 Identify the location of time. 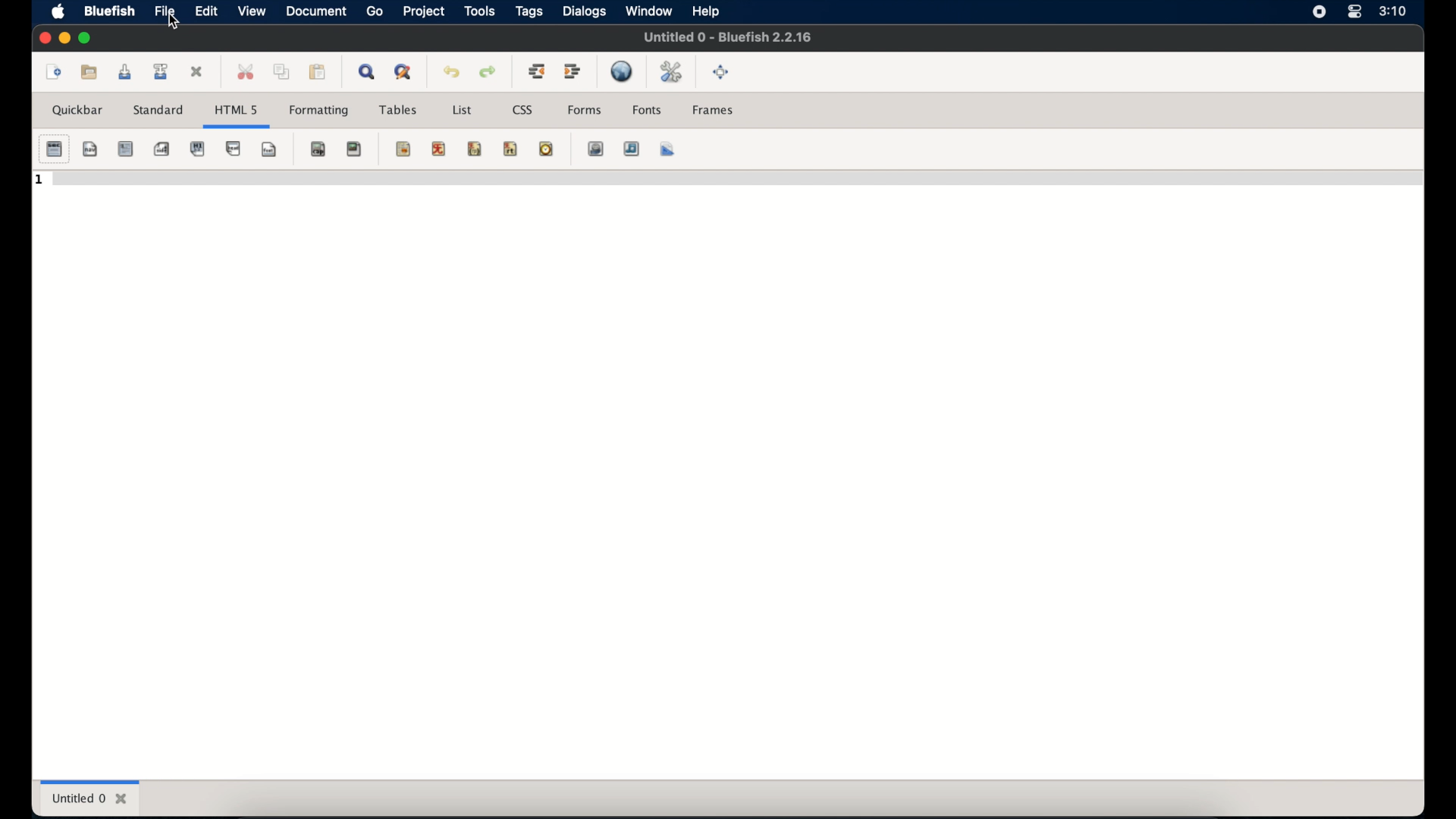
(546, 149).